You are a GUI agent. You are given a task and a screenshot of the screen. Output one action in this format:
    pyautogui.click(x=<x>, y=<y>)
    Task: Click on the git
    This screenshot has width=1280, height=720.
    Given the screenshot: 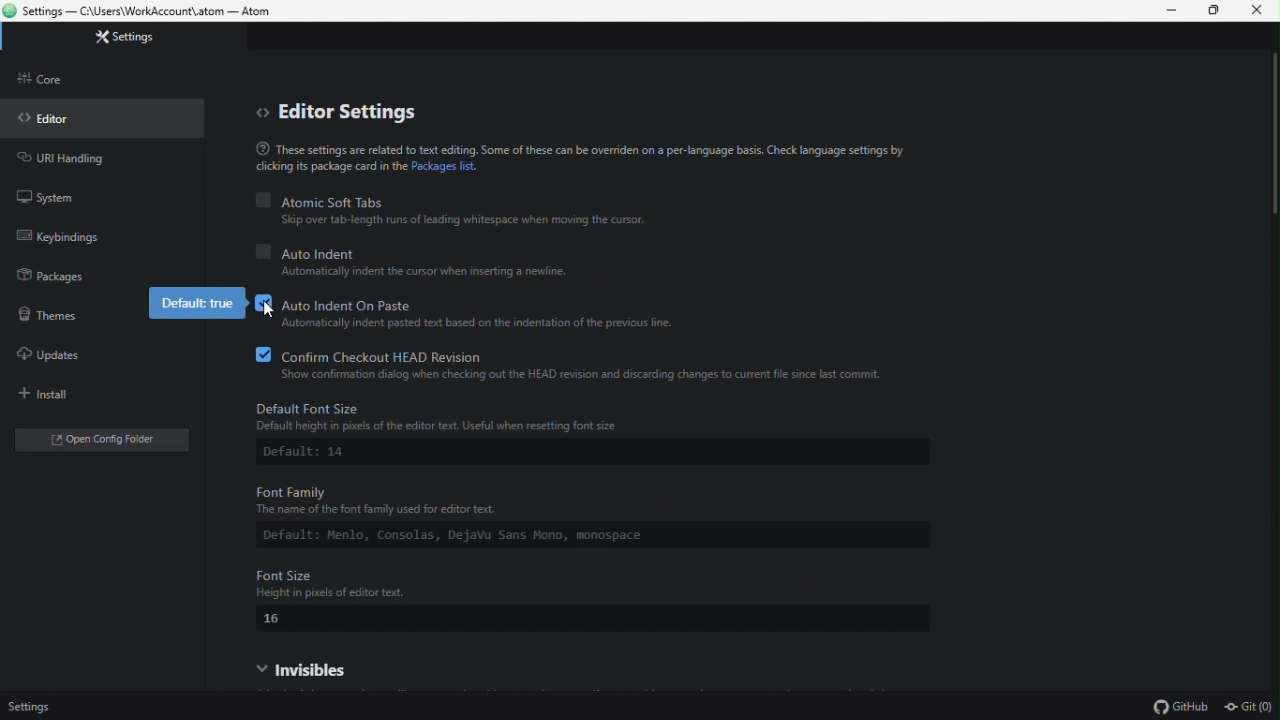 What is the action you would take?
    pyautogui.click(x=1252, y=708)
    